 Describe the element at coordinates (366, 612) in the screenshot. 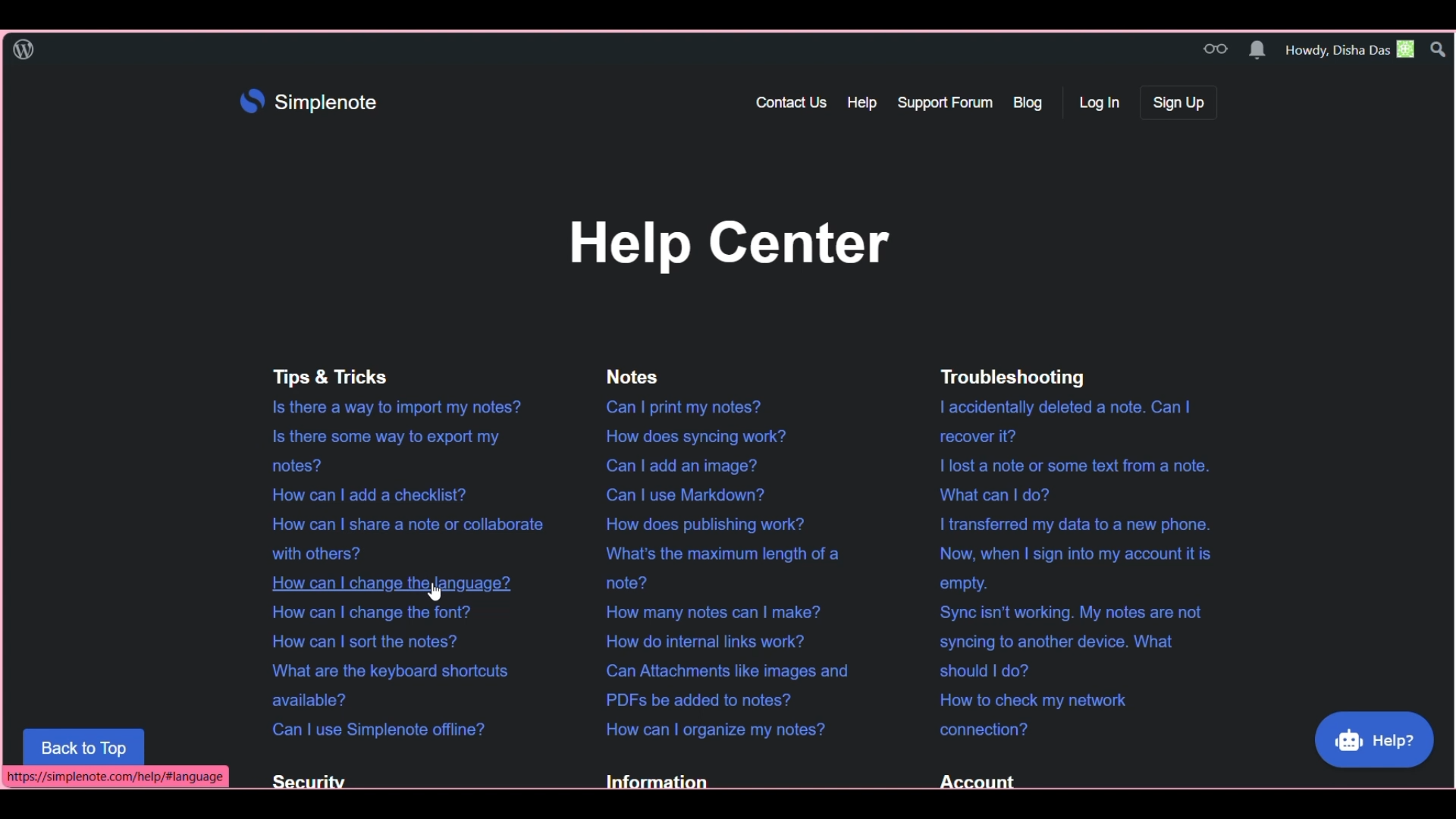

I see `How can | change the font?` at that location.